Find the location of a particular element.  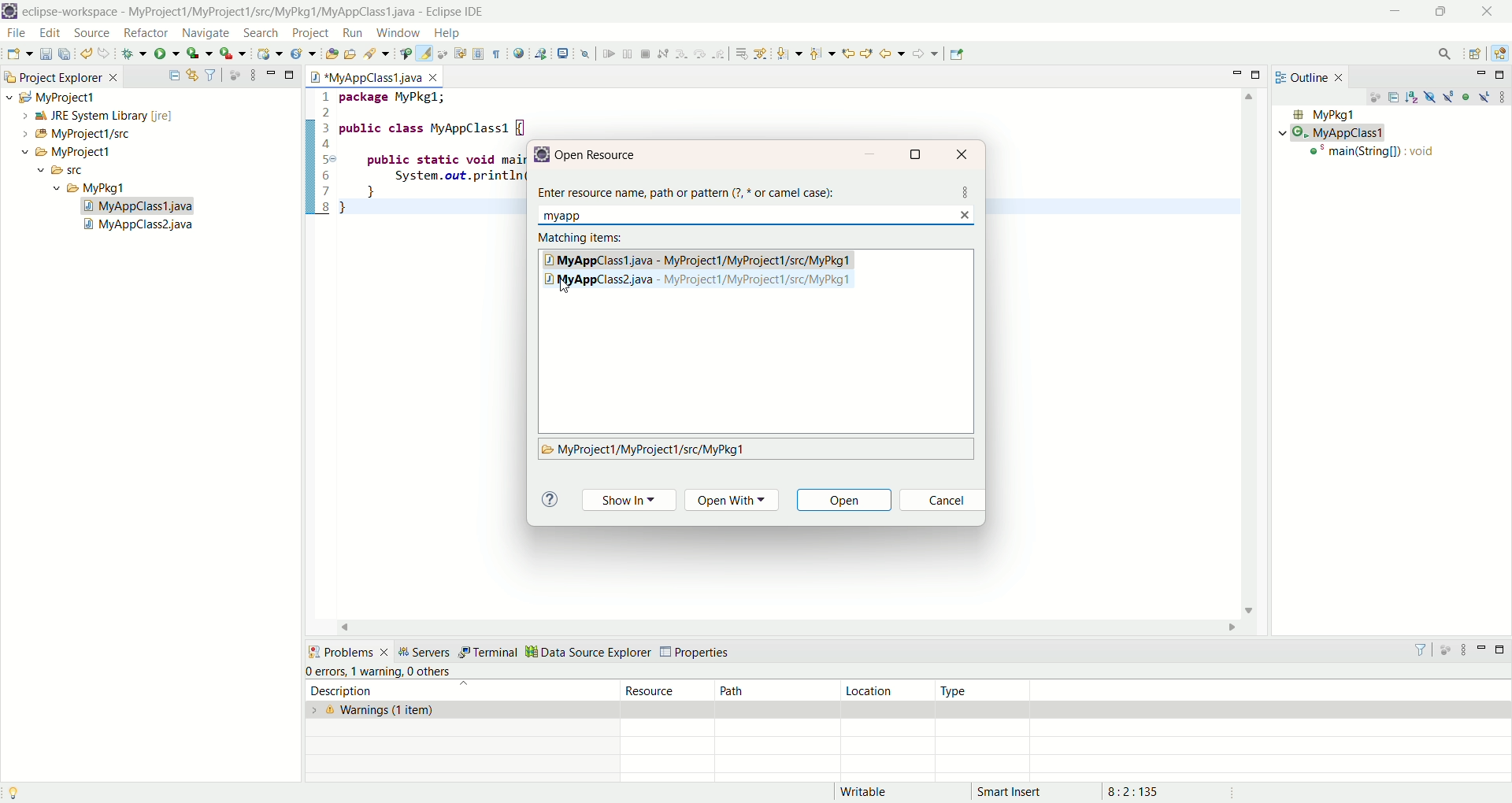

link with editor is located at coordinates (193, 75).